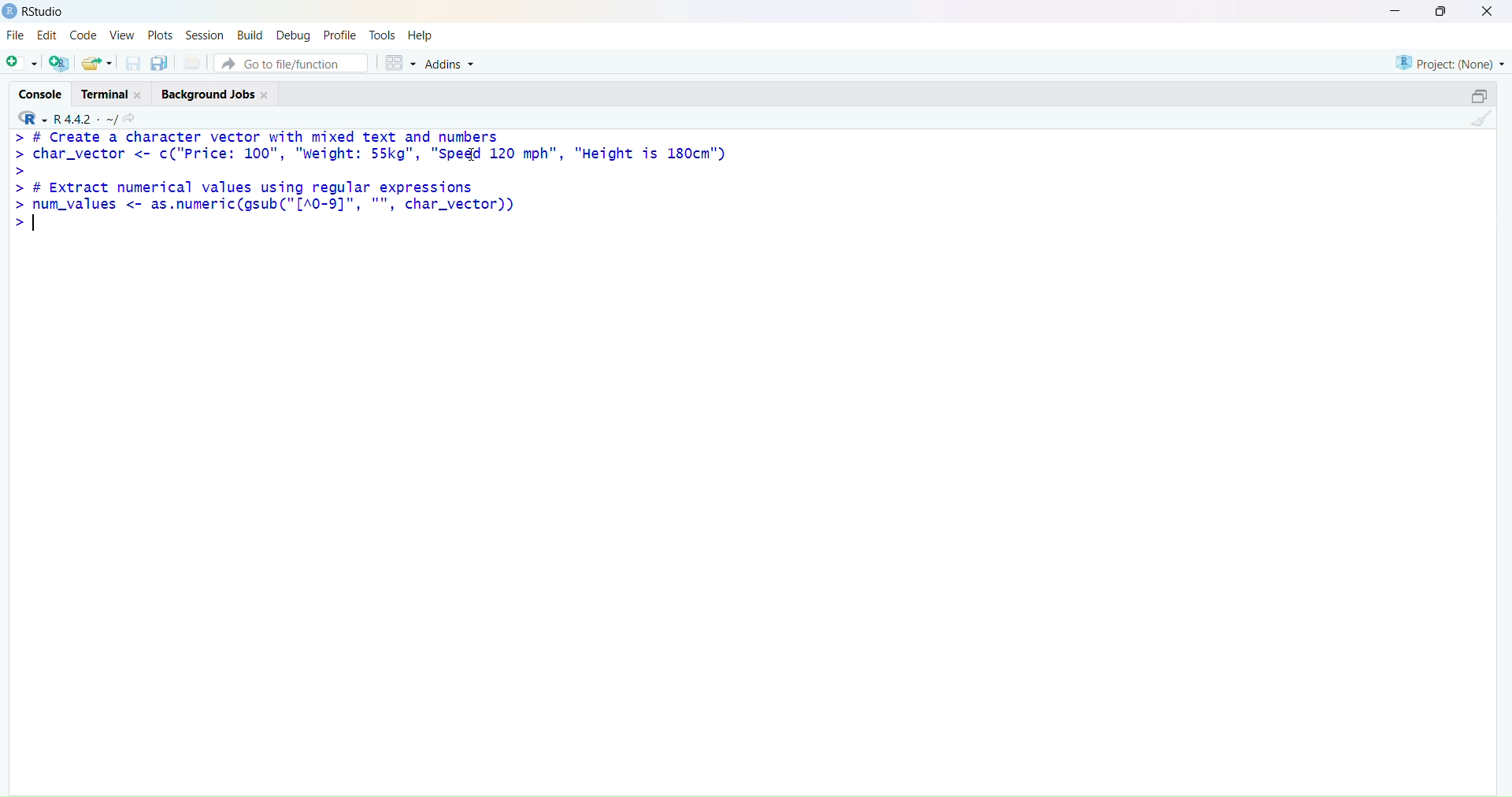 This screenshot has height=797, width=1512. I want to click on open in separate window, so click(1479, 95).